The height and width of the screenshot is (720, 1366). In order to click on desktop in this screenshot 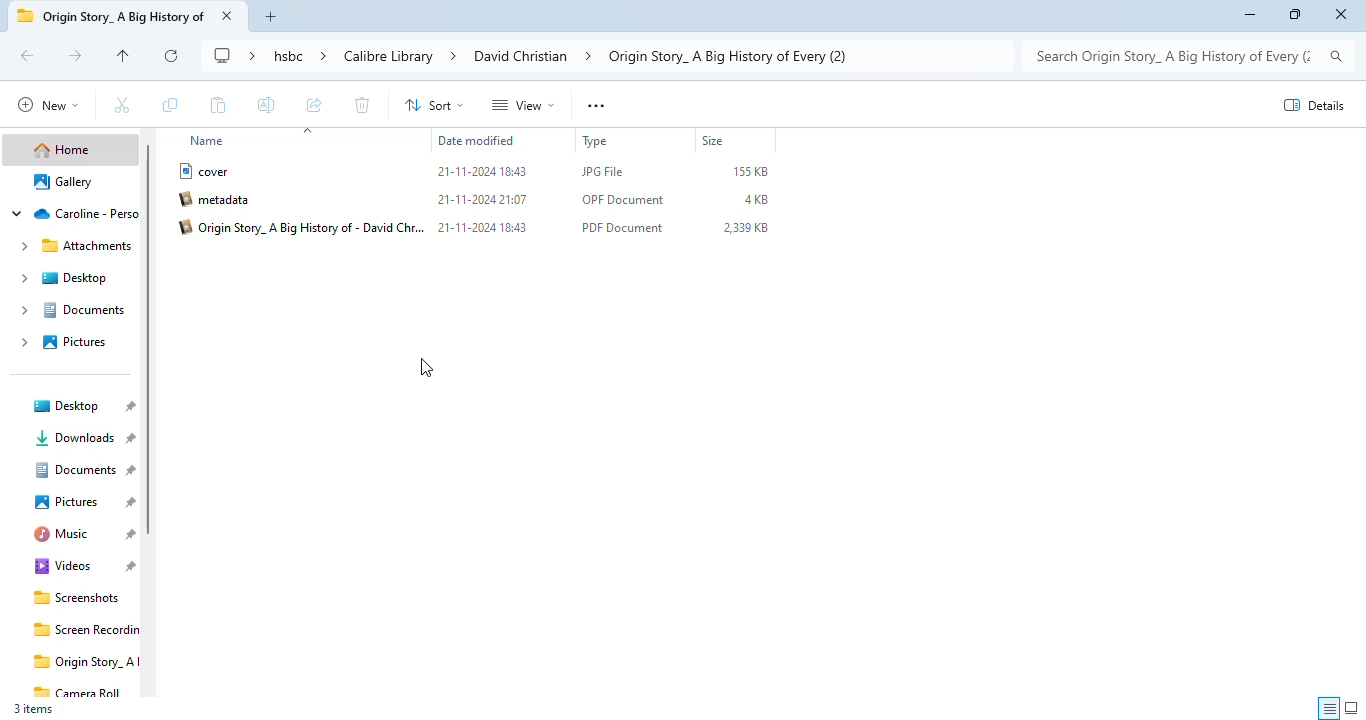, I will do `click(64, 279)`.